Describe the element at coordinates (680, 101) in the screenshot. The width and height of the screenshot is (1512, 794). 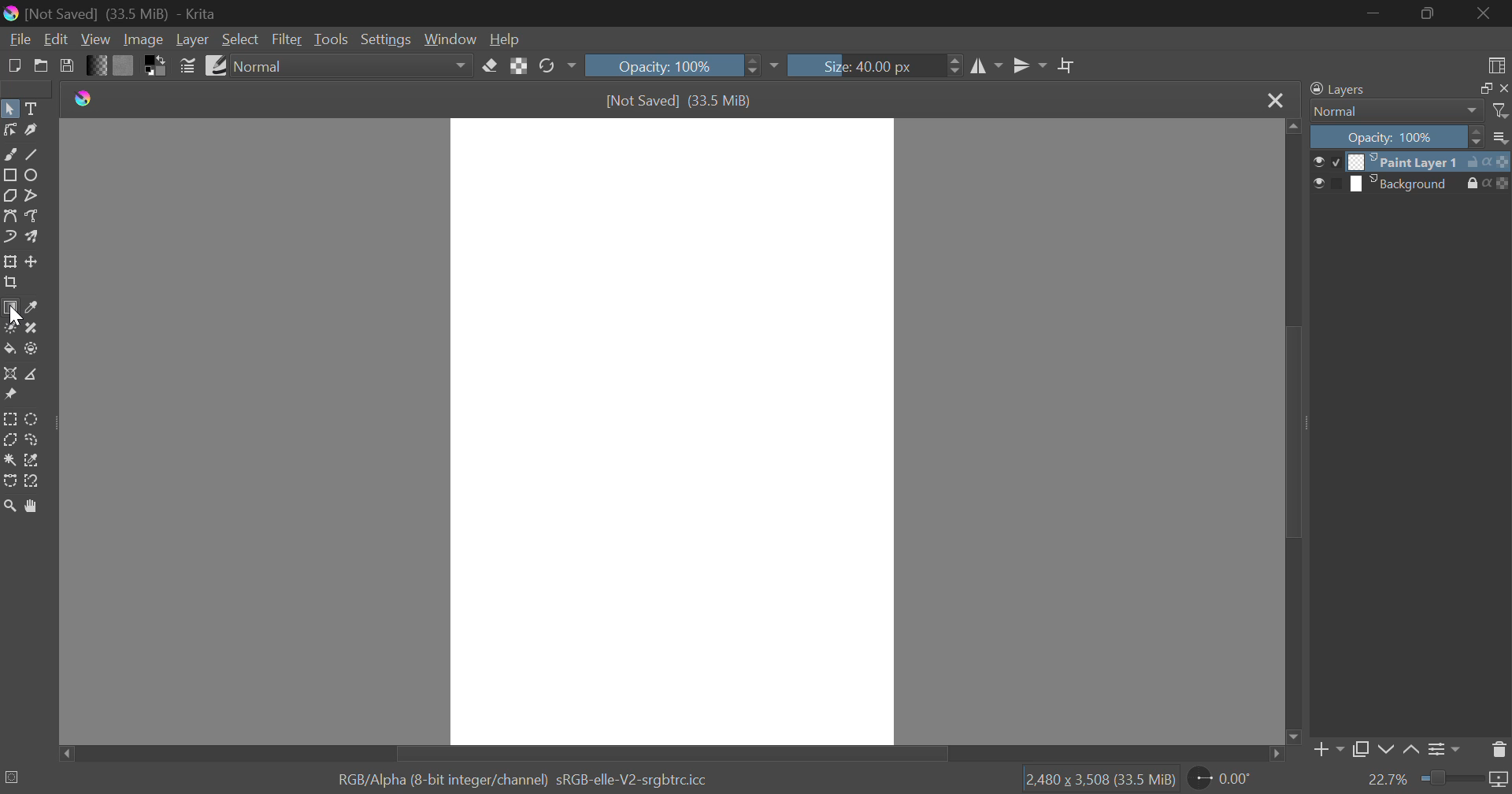
I see `[Not Saved] (33.5 MiB)` at that location.